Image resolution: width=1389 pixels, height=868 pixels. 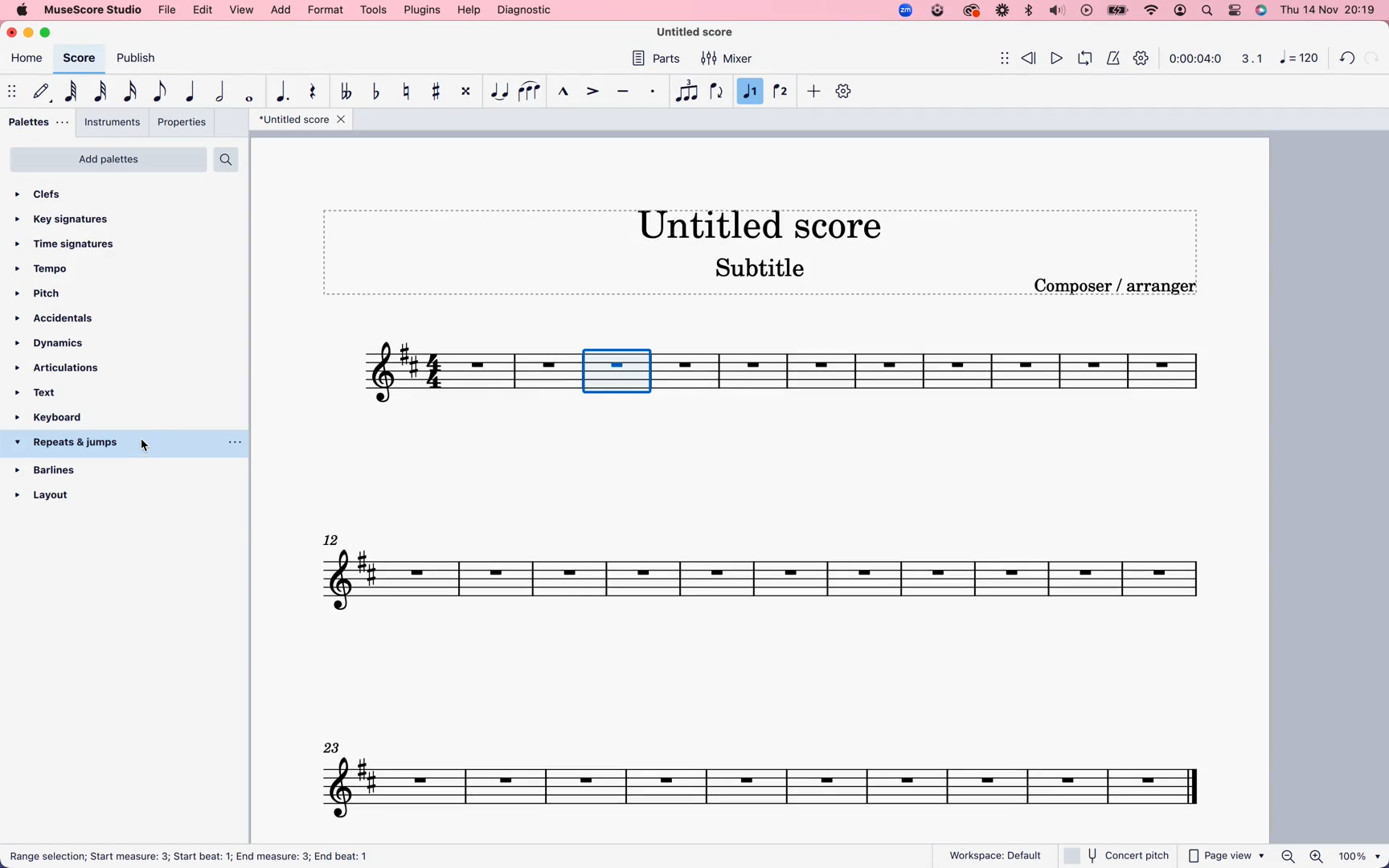 What do you see at coordinates (181, 122) in the screenshot?
I see `properties` at bounding box center [181, 122].